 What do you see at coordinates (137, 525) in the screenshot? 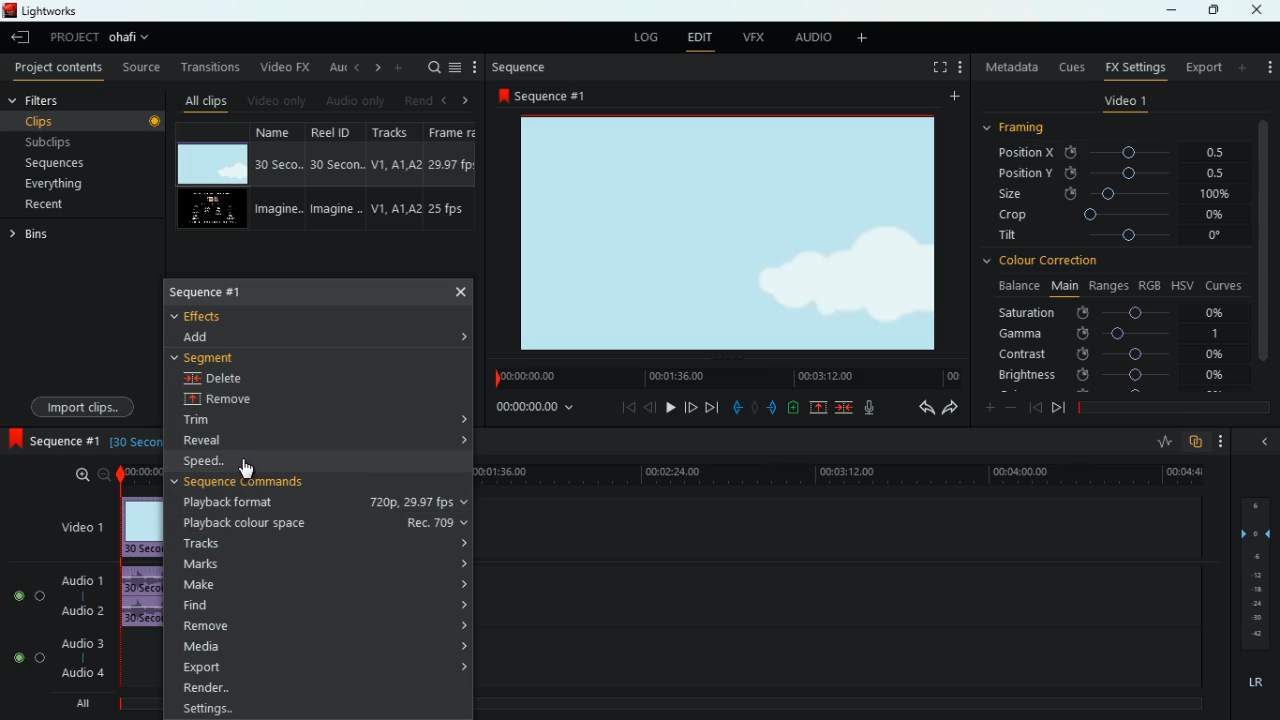
I see `video` at bounding box center [137, 525].